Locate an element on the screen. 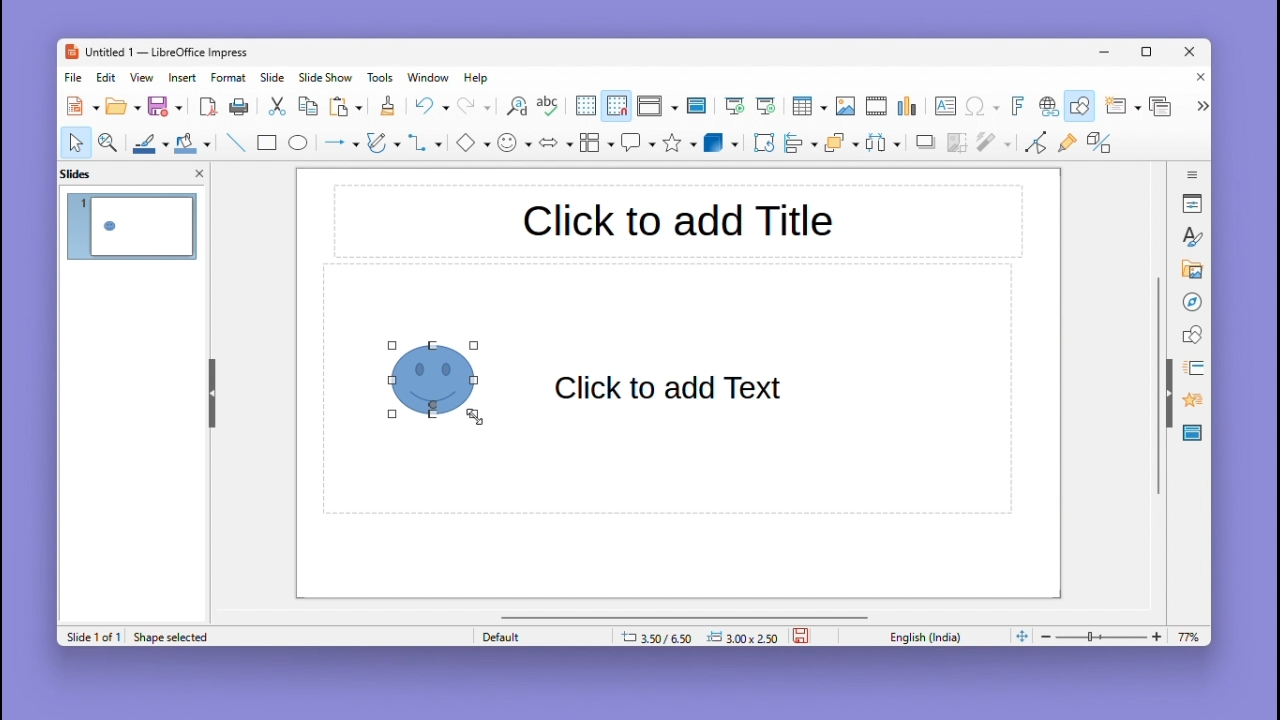 The width and height of the screenshot is (1280, 720). Content is located at coordinates (672, 389).